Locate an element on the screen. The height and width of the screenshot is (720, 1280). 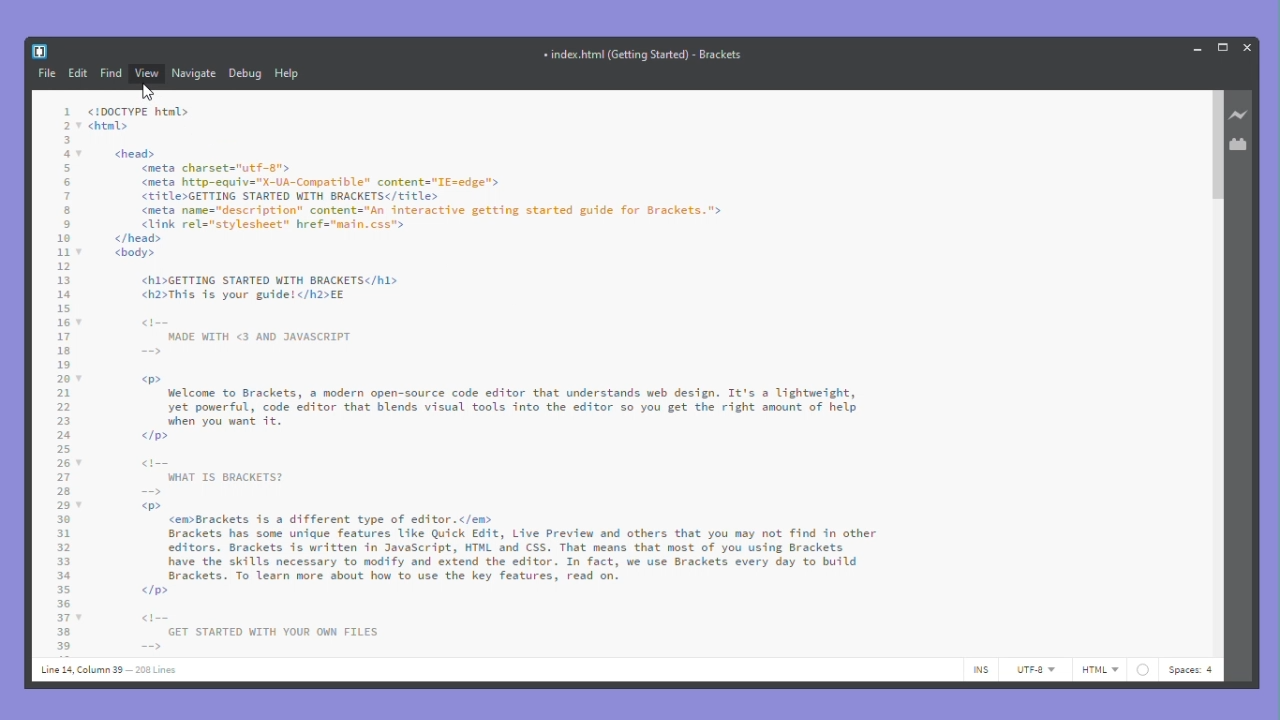
<html> is located at coordinates (114, 126).